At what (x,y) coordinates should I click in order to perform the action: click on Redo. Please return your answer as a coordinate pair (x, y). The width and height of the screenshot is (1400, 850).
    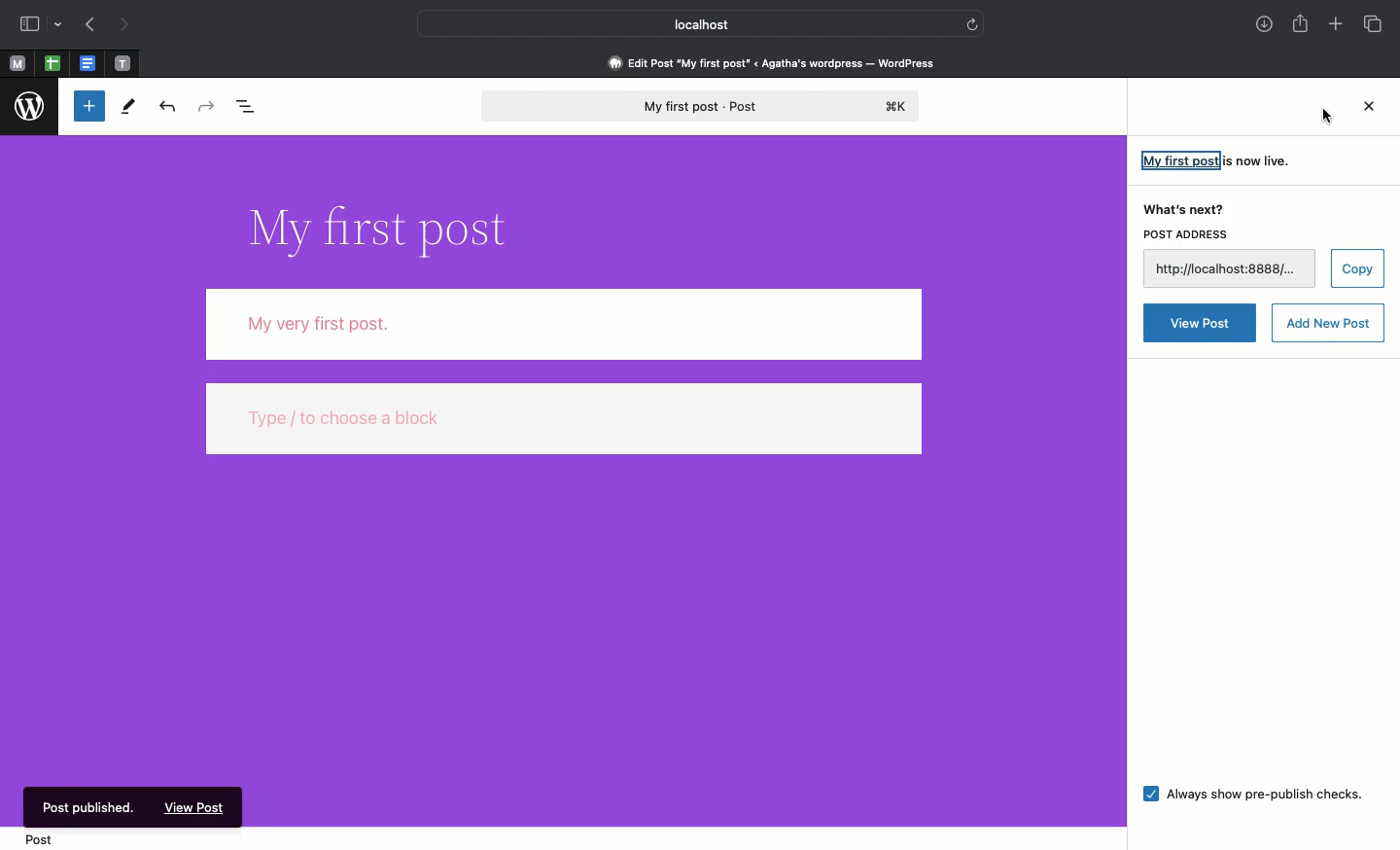
    Looking at the image, I should click on (204, 106).